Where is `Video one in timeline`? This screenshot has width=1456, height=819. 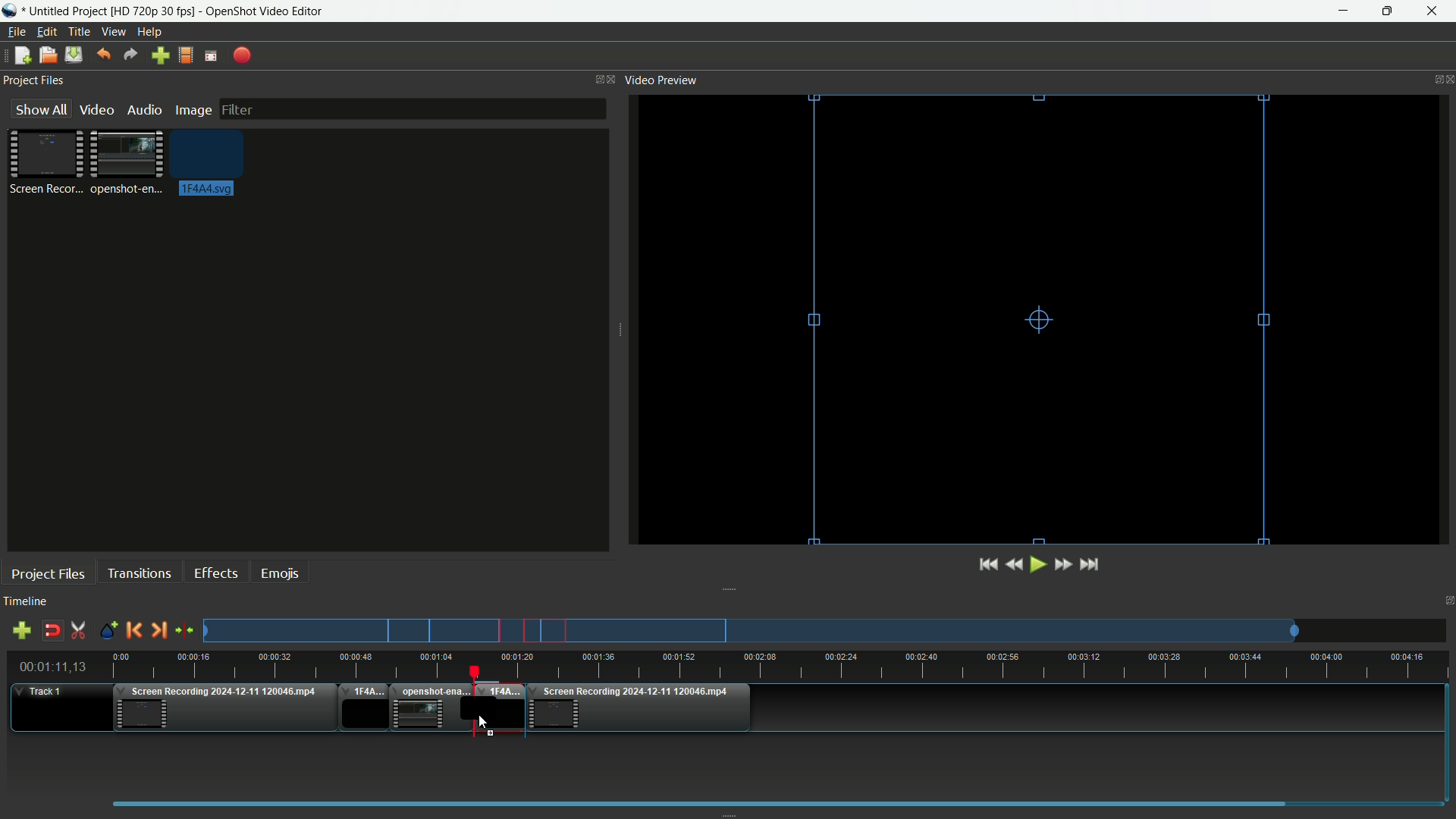 Video one in timeline is located at coordinates (222, 711).